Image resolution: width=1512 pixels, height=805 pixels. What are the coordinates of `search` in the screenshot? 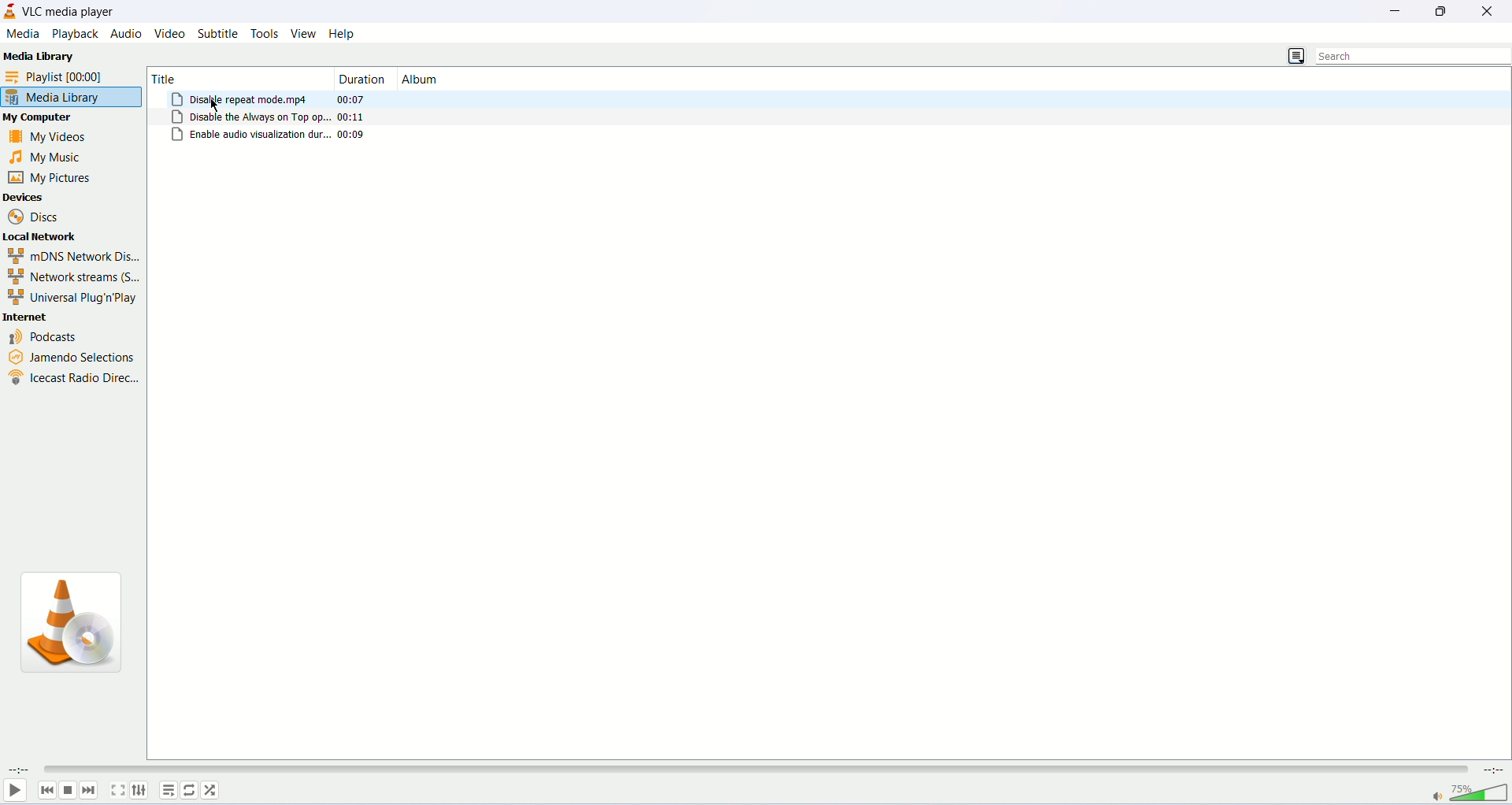 It's located at (1414, 56).